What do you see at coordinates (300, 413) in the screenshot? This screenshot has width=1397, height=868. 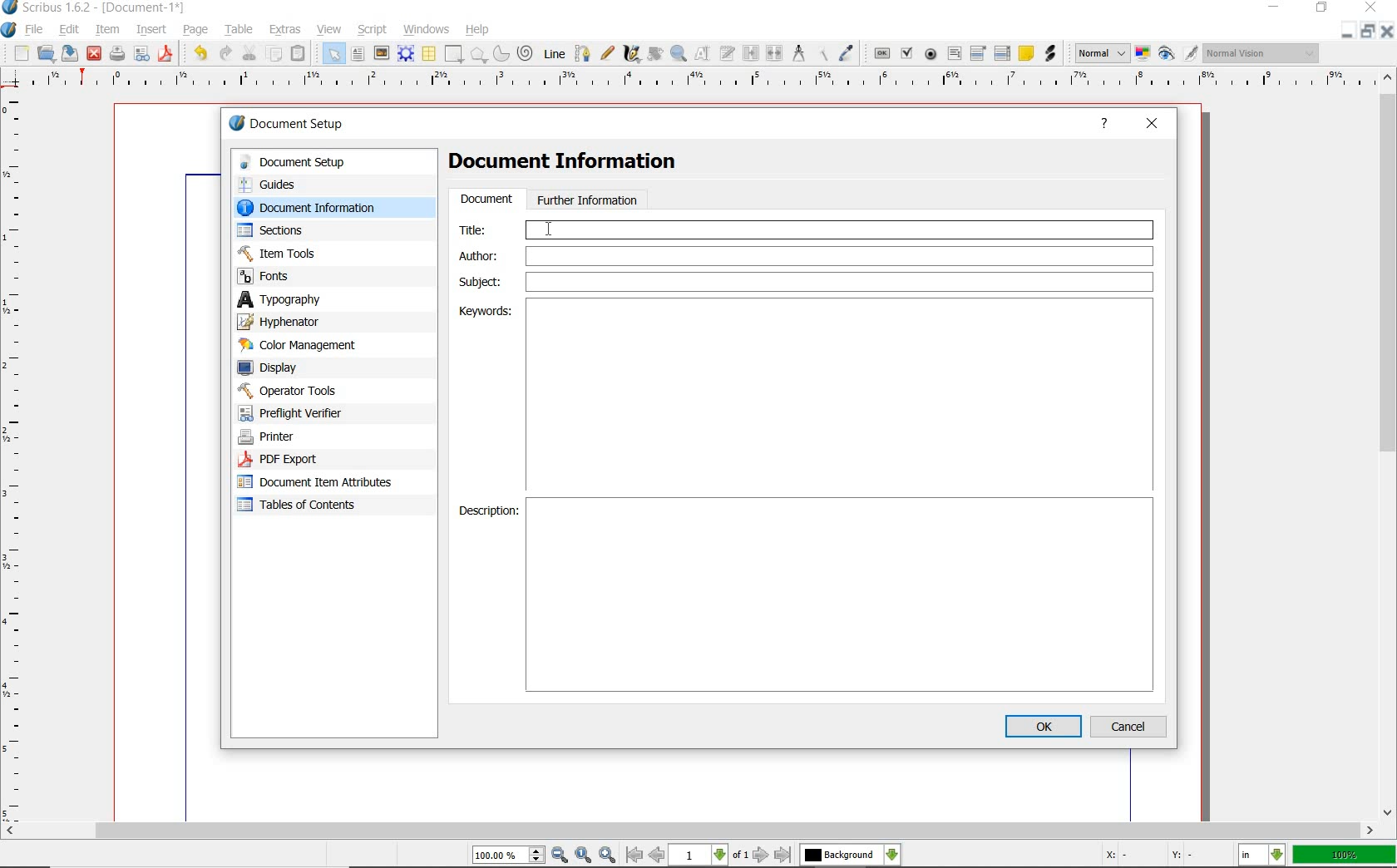 I see `preflight verifier` at bounding box center [300, 413].